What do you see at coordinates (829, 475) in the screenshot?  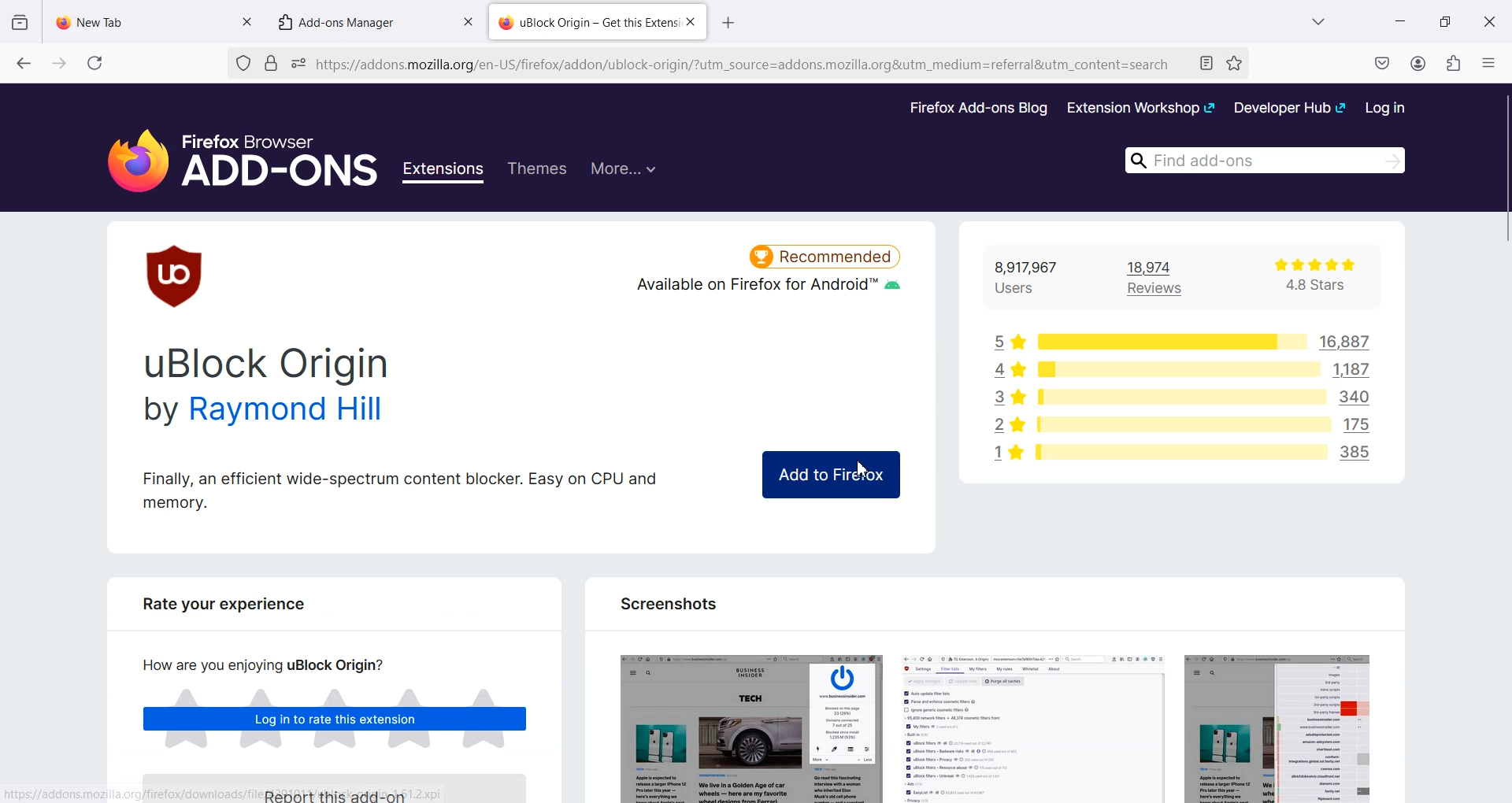 I see `Add to Firefox` at bounding box center [829, 475].